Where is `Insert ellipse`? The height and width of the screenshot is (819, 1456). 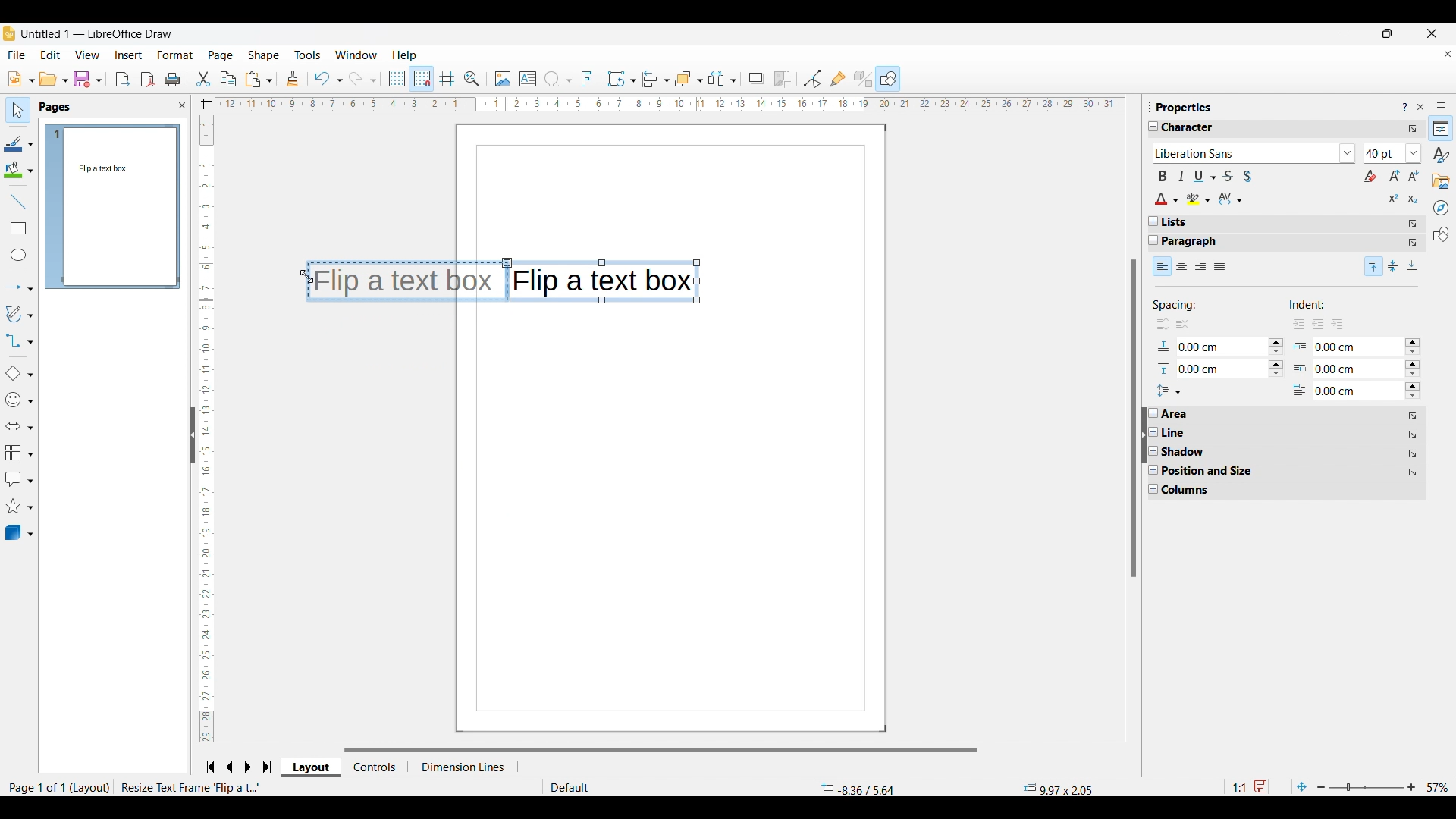
Insert ellipse is located at coordinates (19, 255).